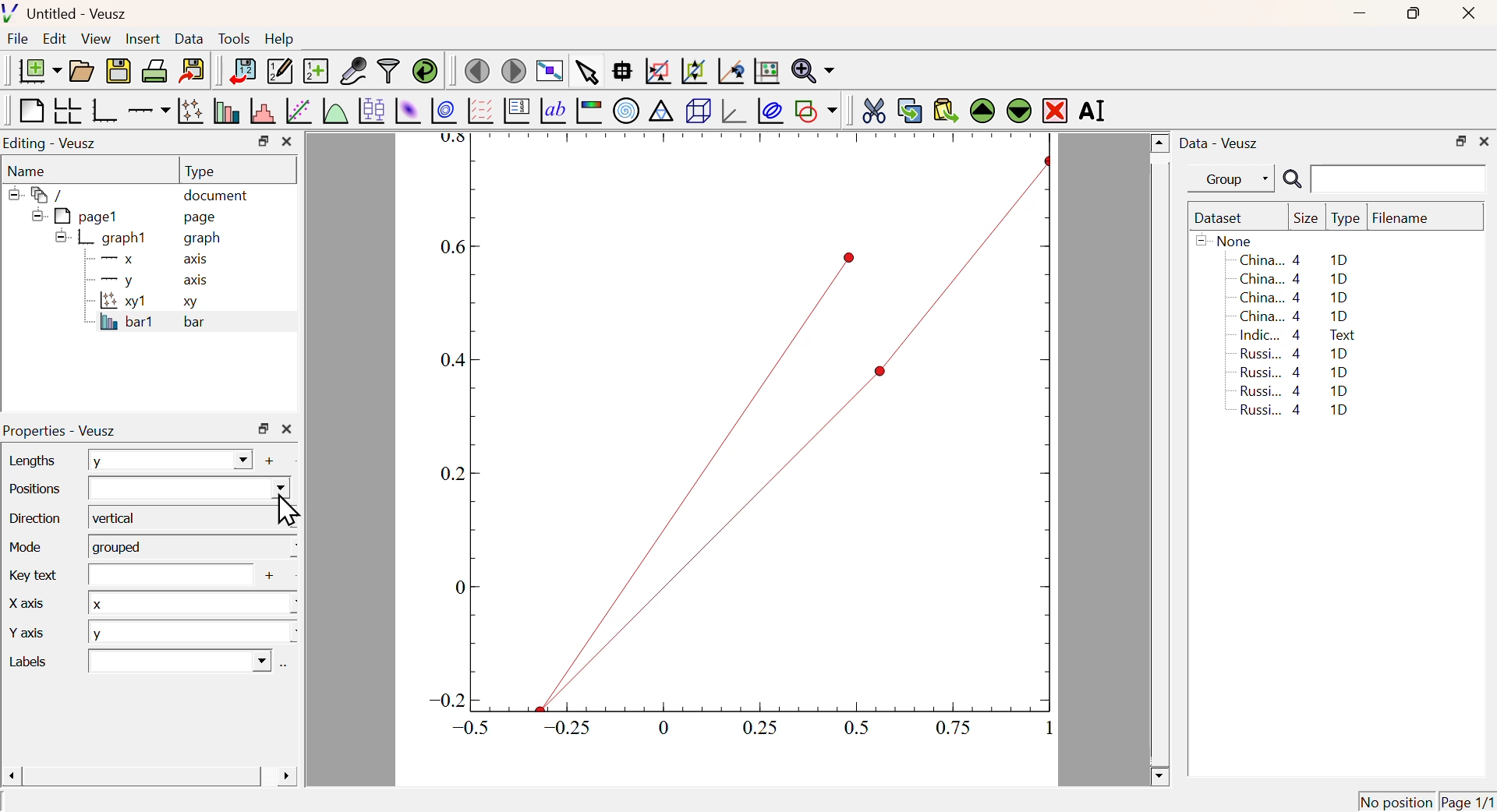 This screenshot has height=812, width=1497. What do you see at coordinates (193, 69) in the screenshot?
I see `Export to graphics format` at bounding box center [193, 69].